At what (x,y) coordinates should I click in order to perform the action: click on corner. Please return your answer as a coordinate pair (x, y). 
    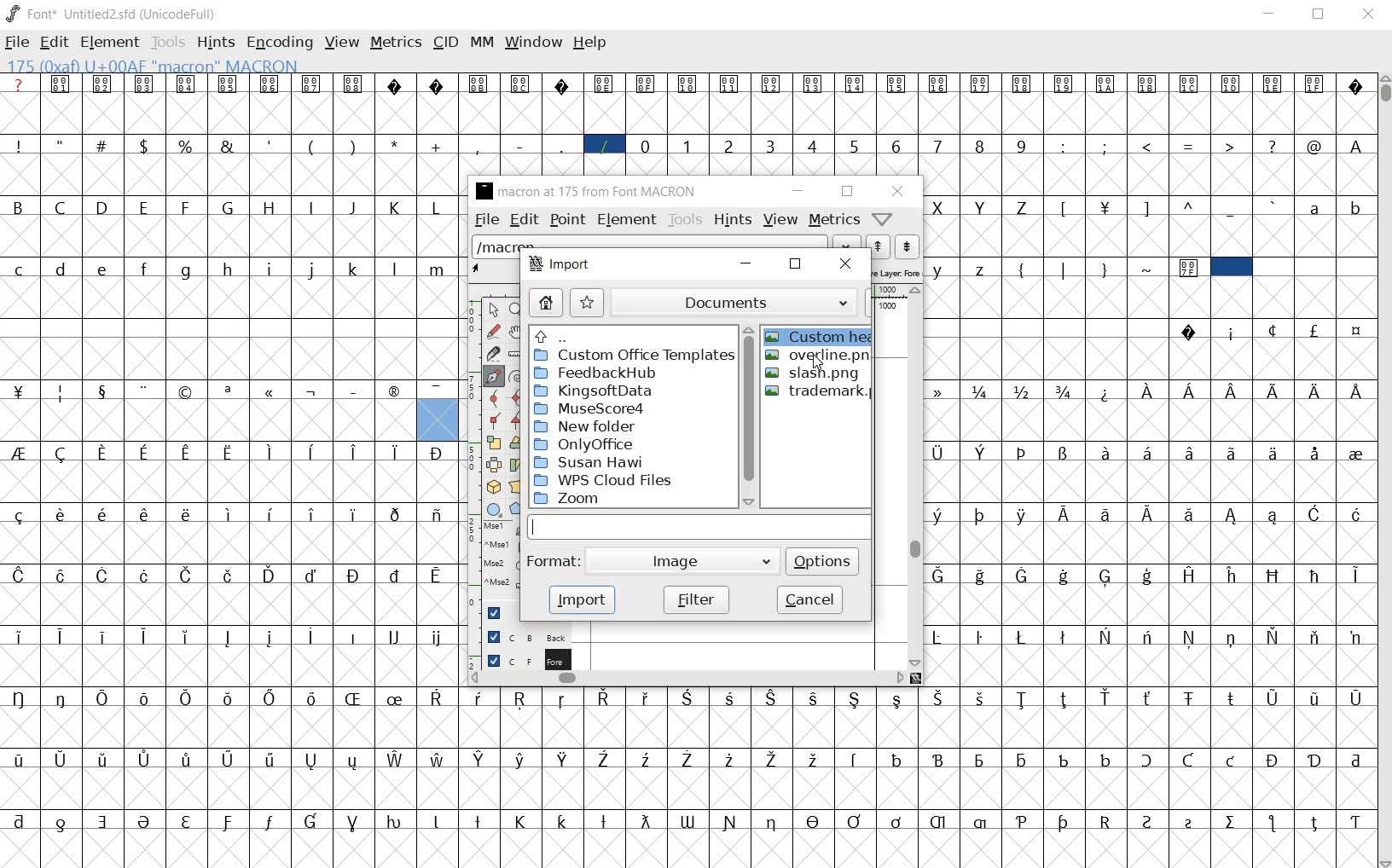
    Looking at the image, I should click on (494, 421).